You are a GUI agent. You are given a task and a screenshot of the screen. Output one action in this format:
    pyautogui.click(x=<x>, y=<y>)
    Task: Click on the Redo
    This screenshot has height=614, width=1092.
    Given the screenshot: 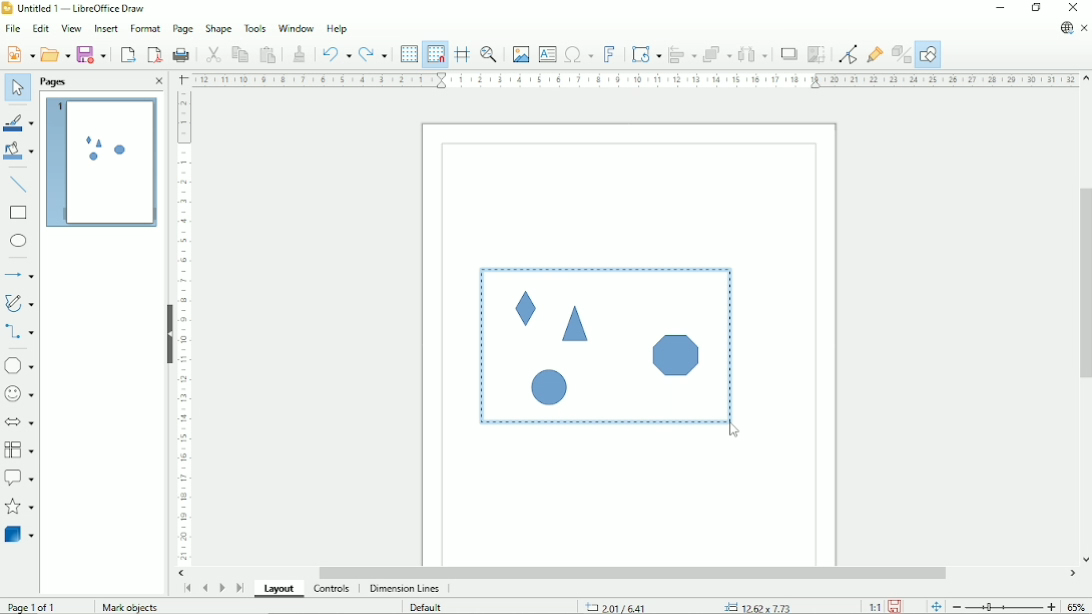 What is the action you would take?
    pyautogui.click(x=374, y=55)
    